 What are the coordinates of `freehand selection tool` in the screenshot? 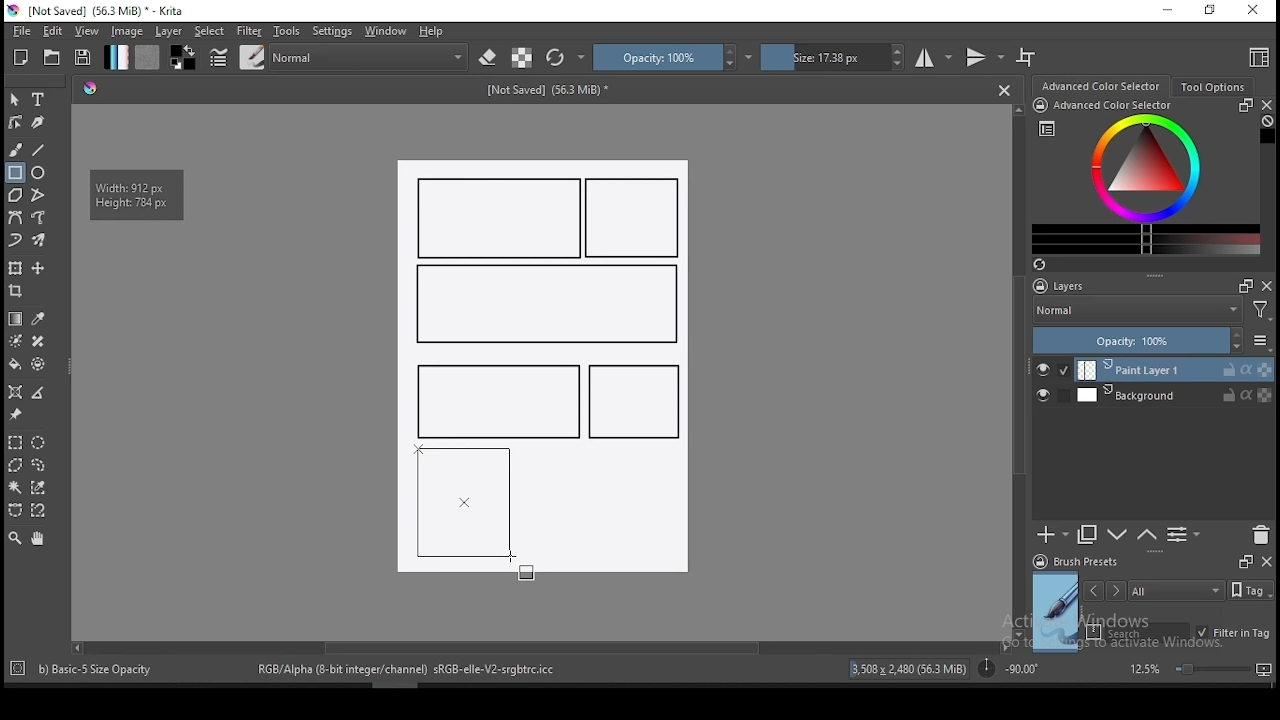 It's located at (39, 465).